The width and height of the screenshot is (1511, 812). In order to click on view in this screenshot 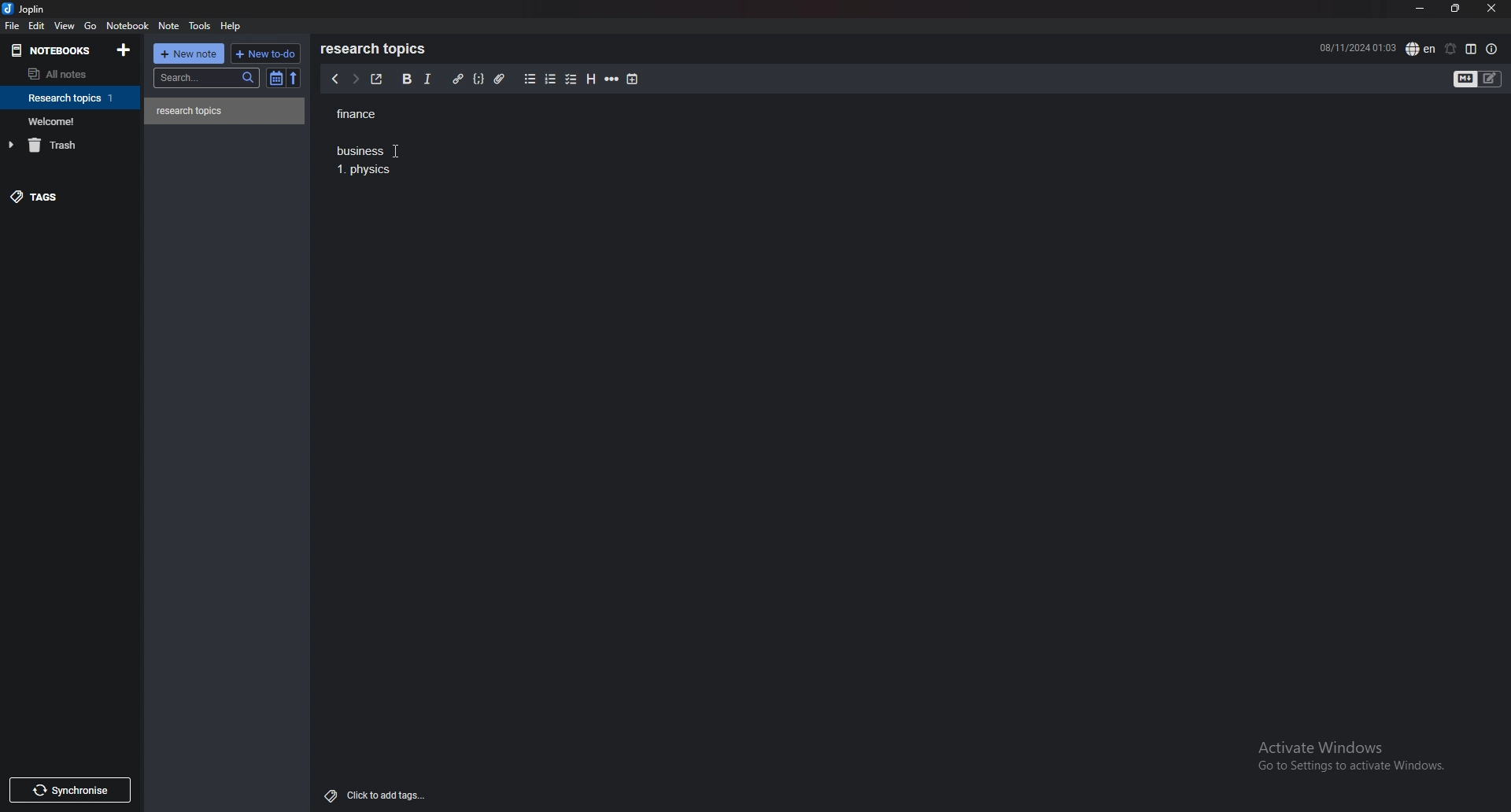, I will do `click(65, 26)`.